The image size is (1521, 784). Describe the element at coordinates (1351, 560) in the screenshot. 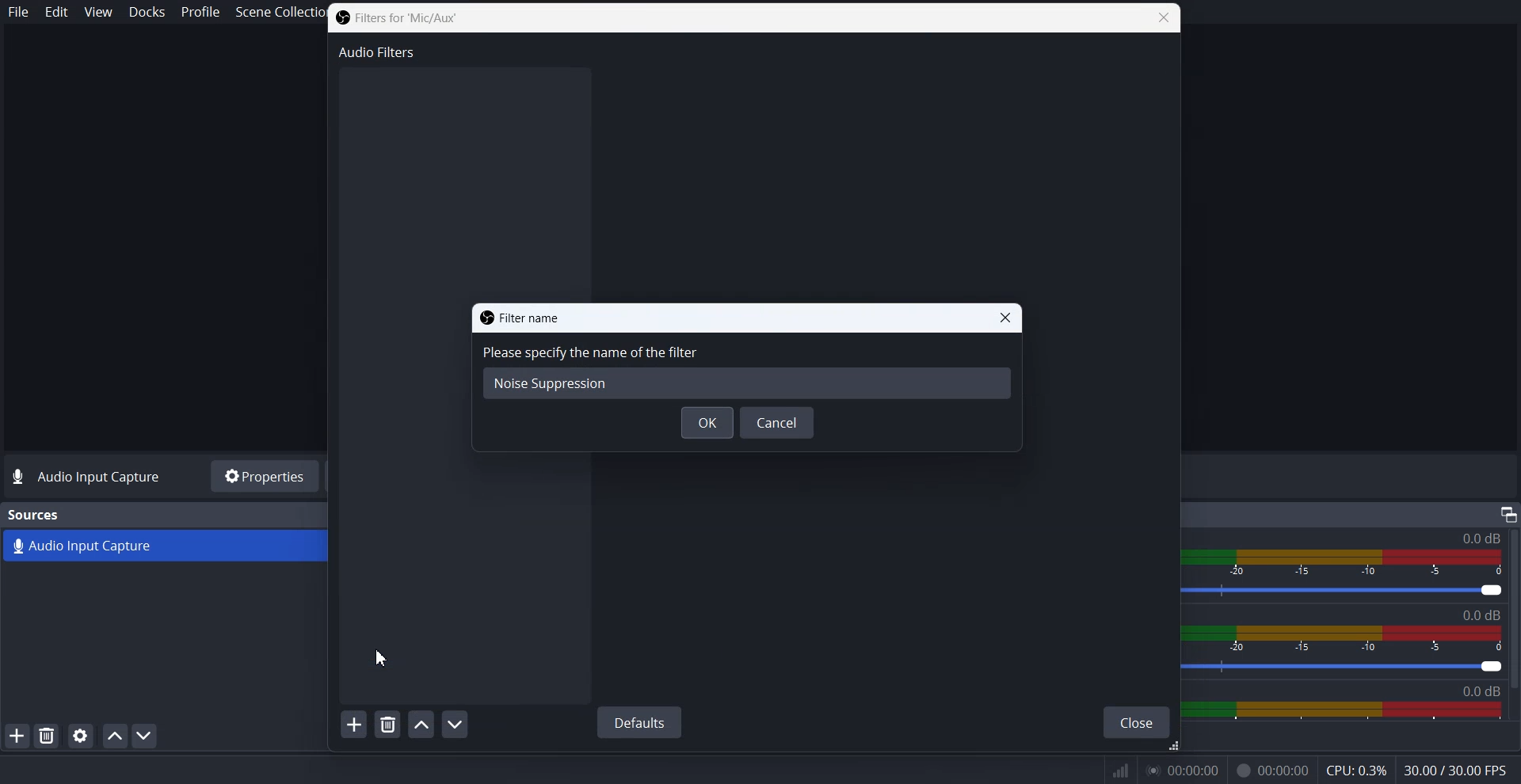

I see `Volume Indicator` at that location.